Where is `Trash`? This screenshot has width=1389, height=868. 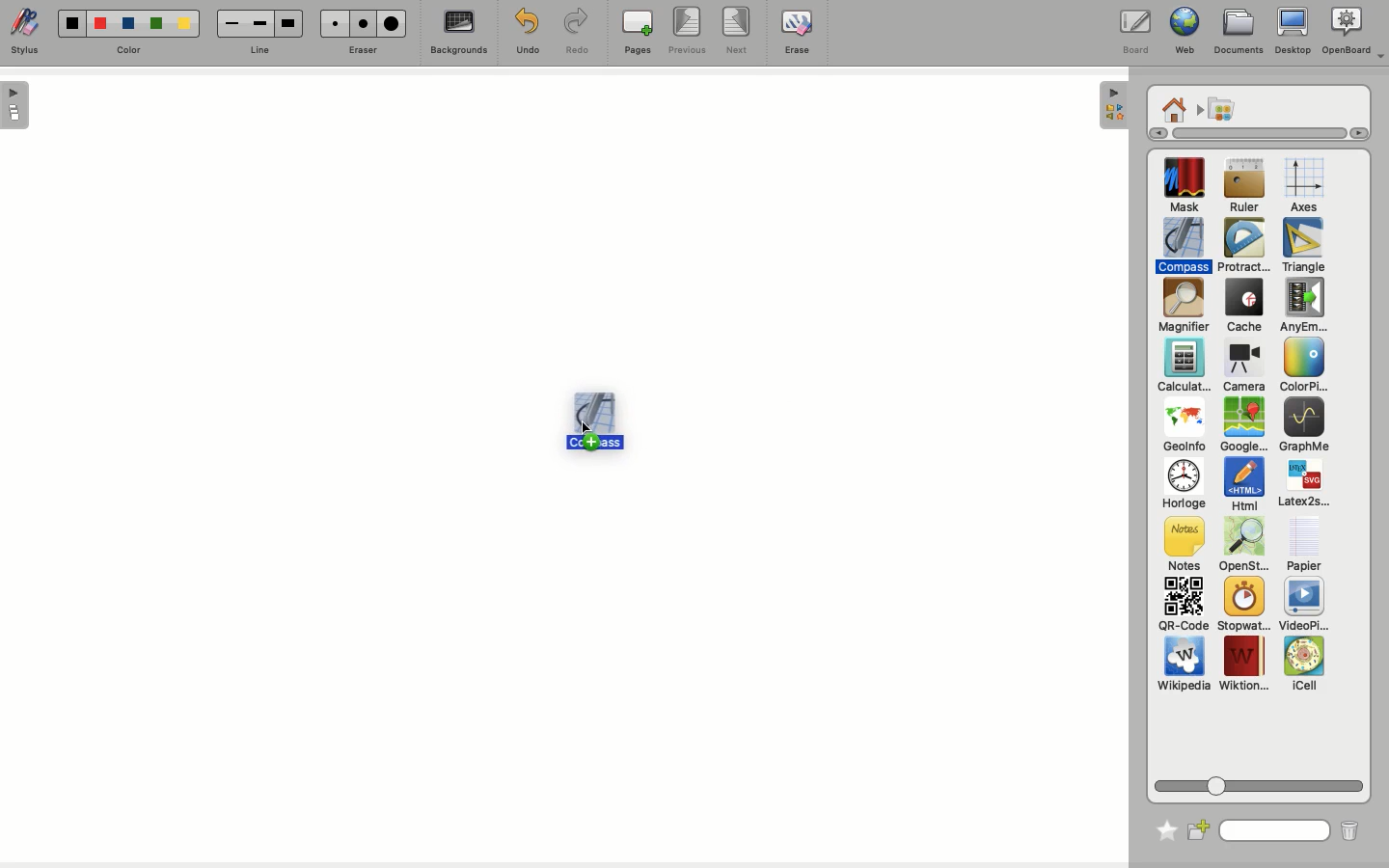 Trash is located at coordinates (1348, 830).